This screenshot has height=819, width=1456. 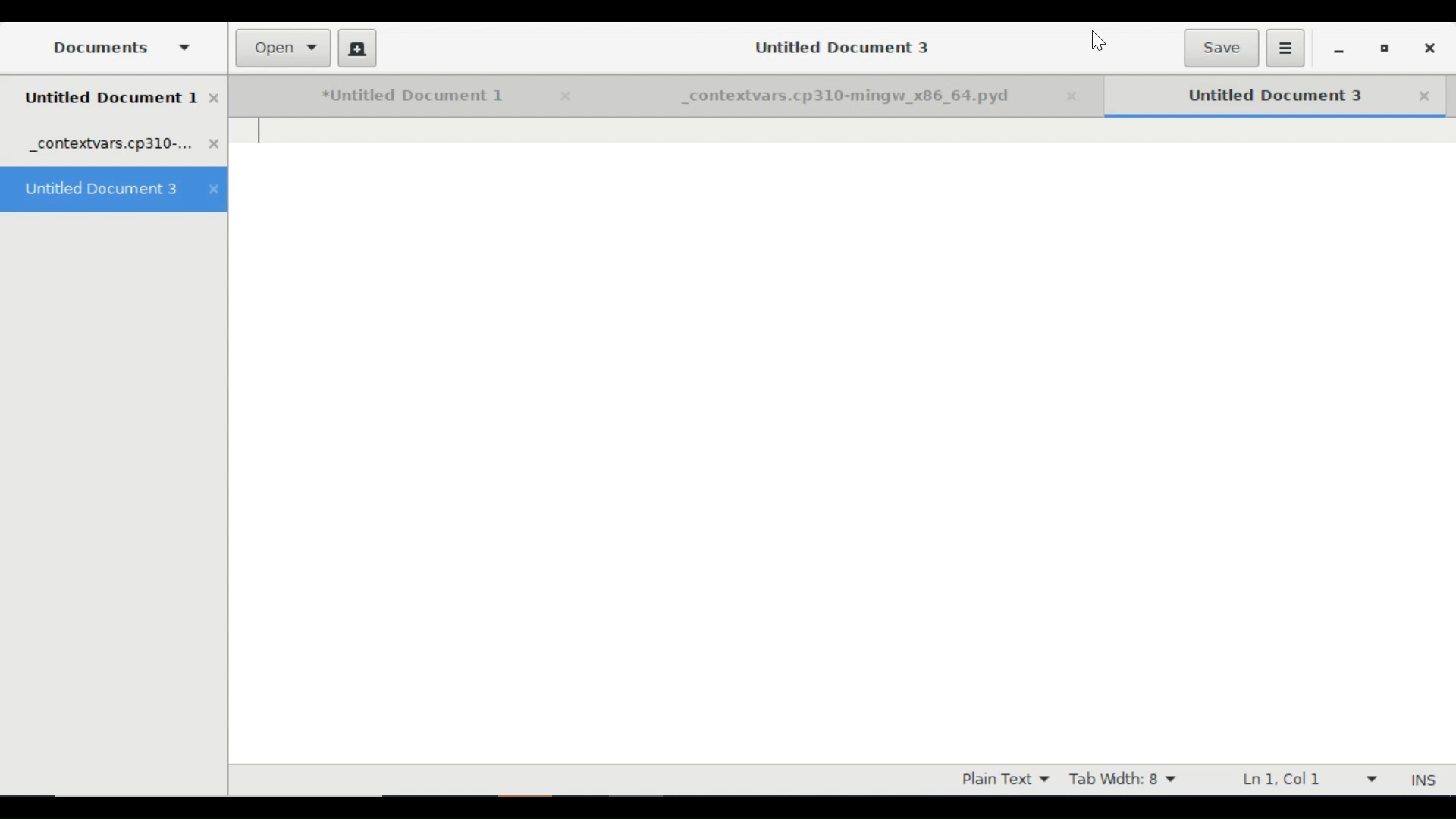 I want to click on _contextvars.cp310-minger_xc86_64.pyd Tab, so click(x=821, y=97).